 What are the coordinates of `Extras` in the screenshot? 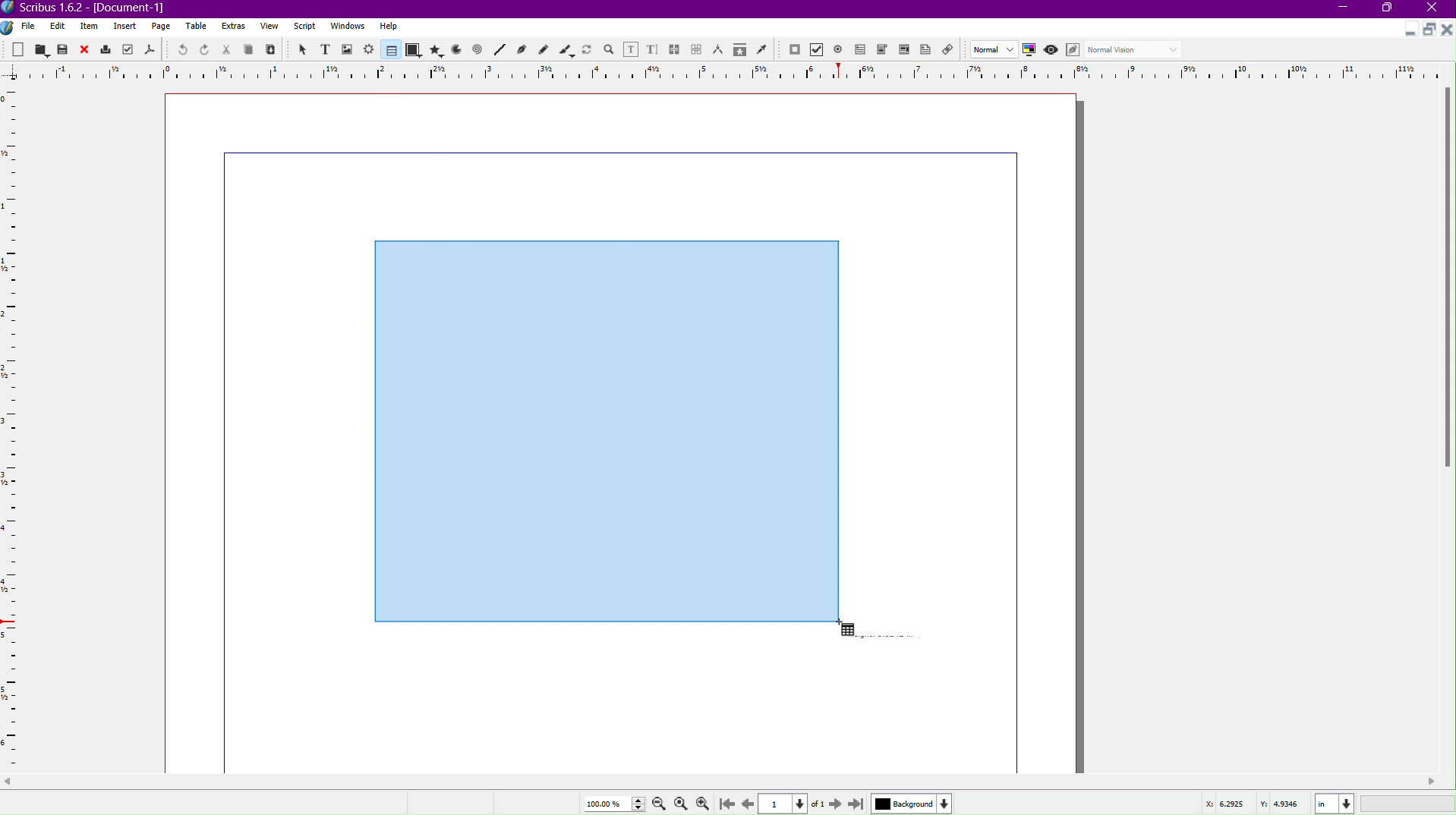 It's located at (235, 27).